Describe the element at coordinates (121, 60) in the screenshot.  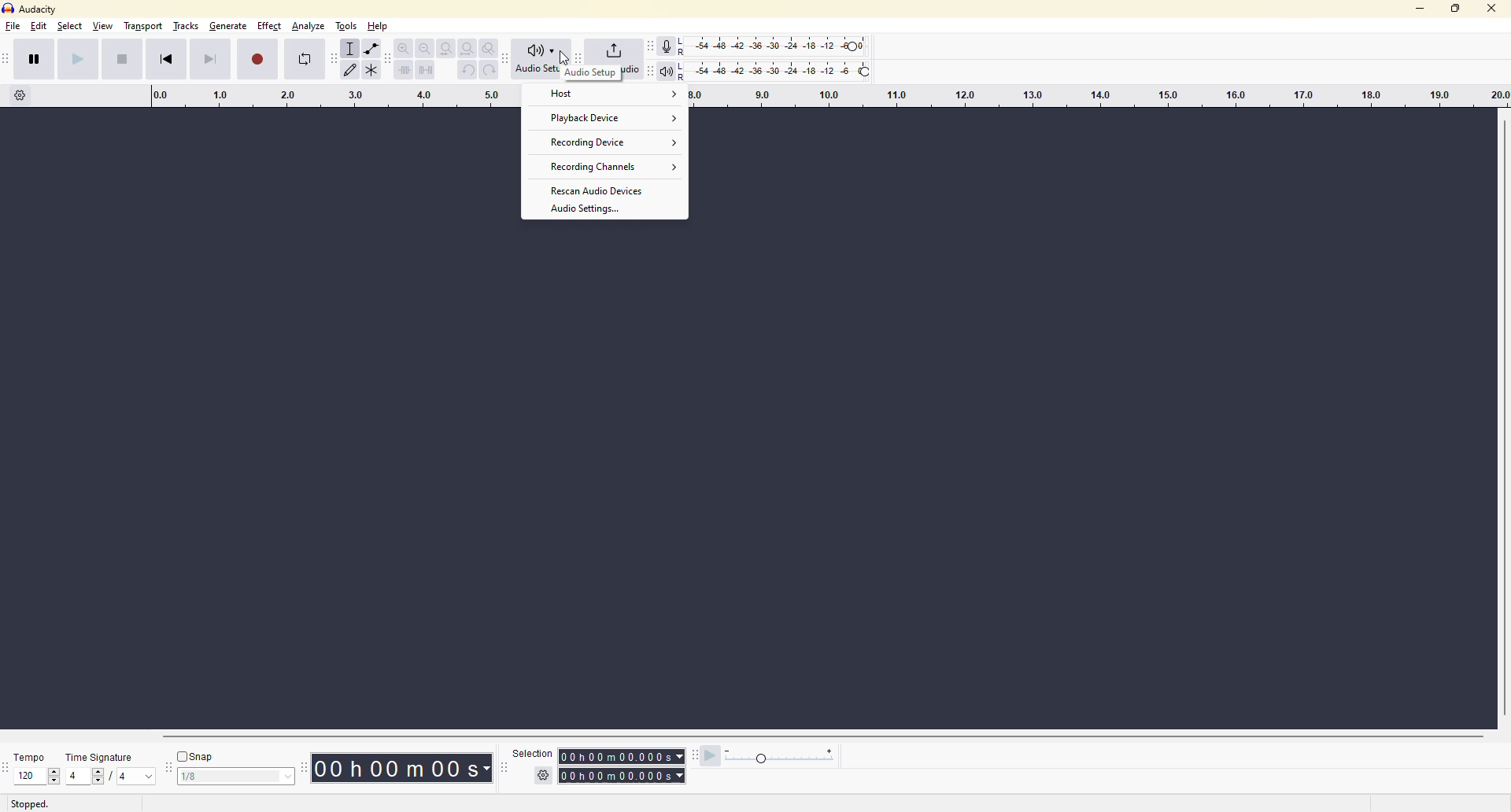
I see `stop` at that location.